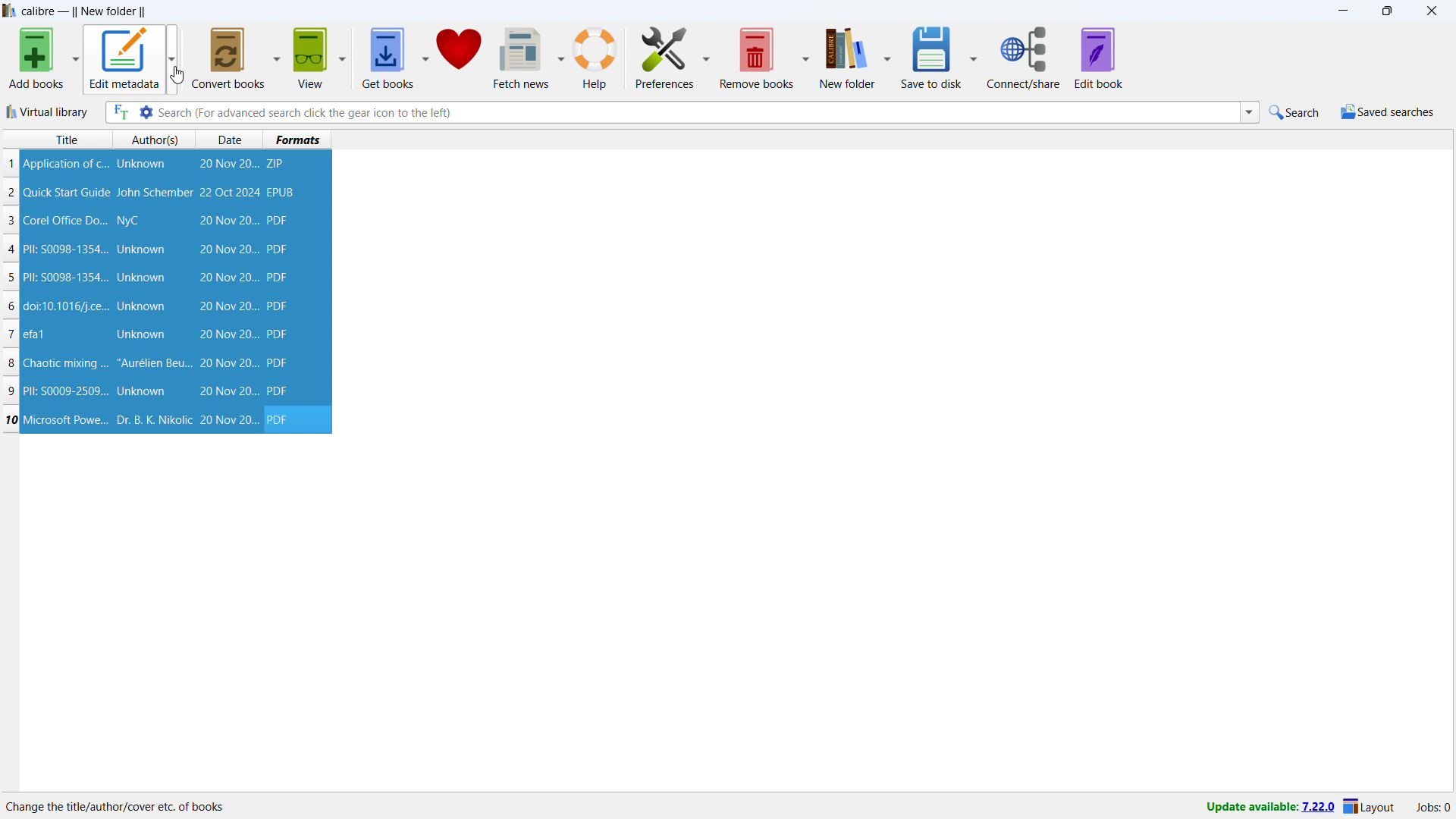 This screenshot has width=1456, height=819. Describe the element at coordinates (14, 391) in the screenshot. I see `9` at that location.